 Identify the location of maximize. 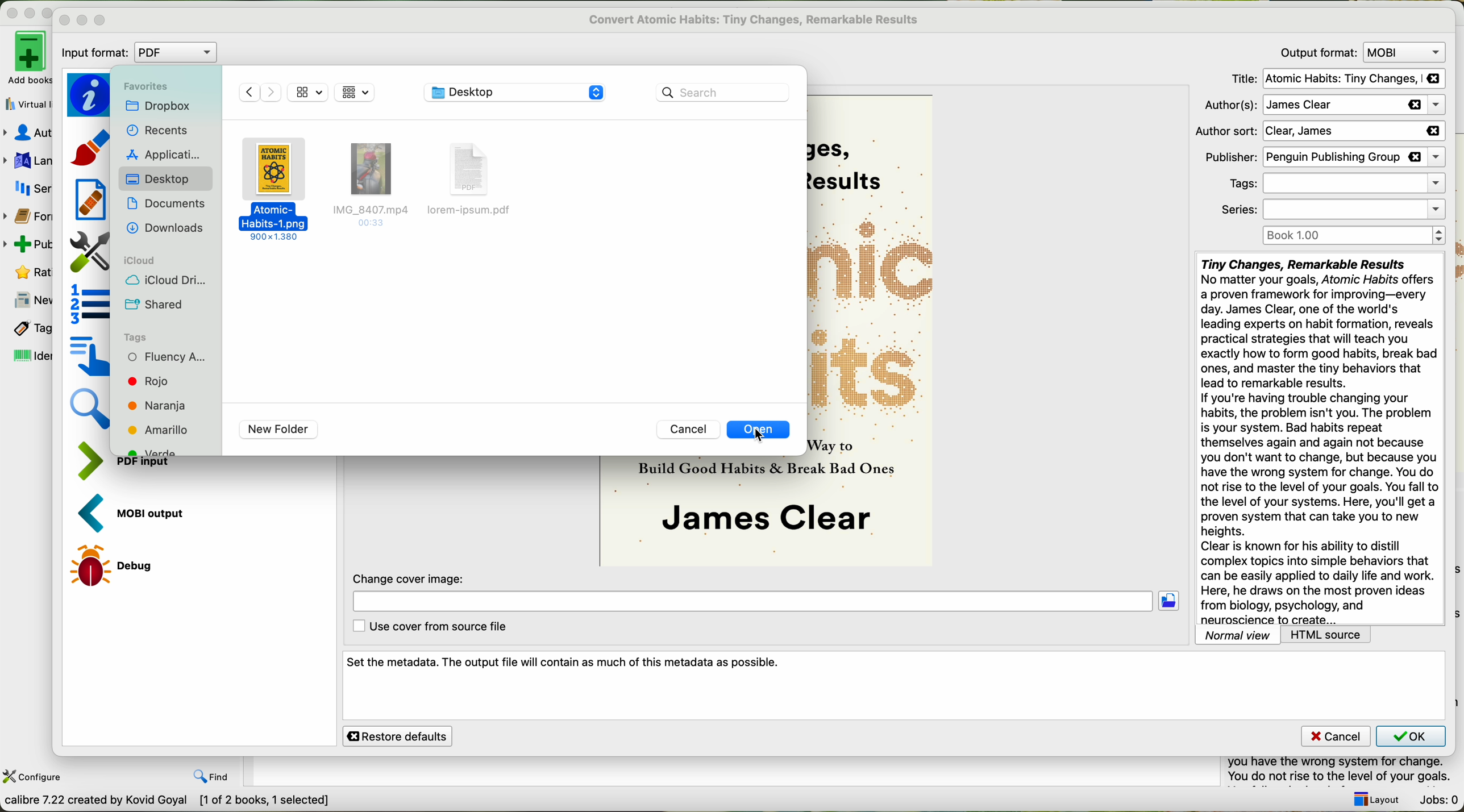
(101, 20).